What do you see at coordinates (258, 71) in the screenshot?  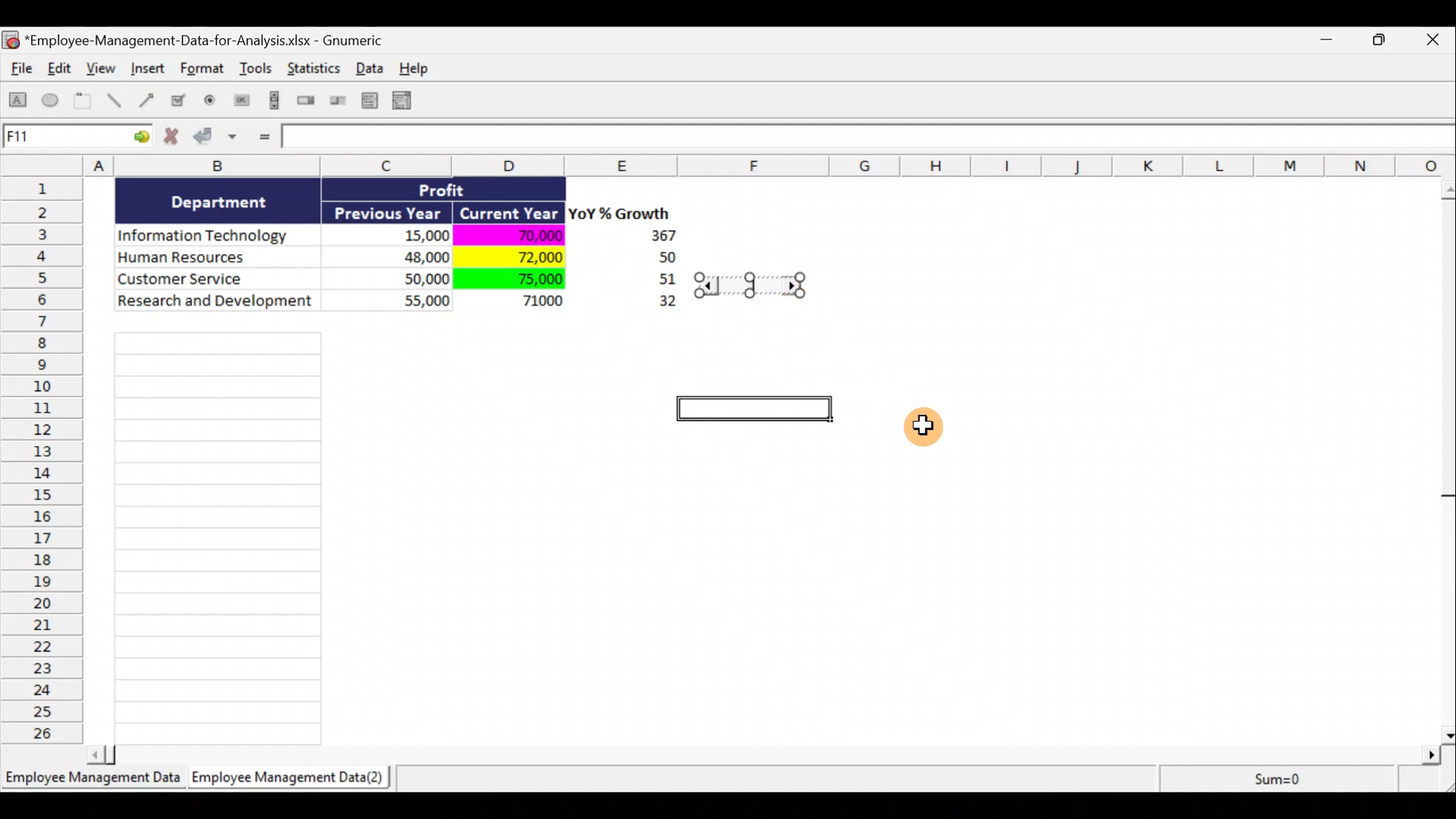 I see `Tools` at bounding box center [258, 71].